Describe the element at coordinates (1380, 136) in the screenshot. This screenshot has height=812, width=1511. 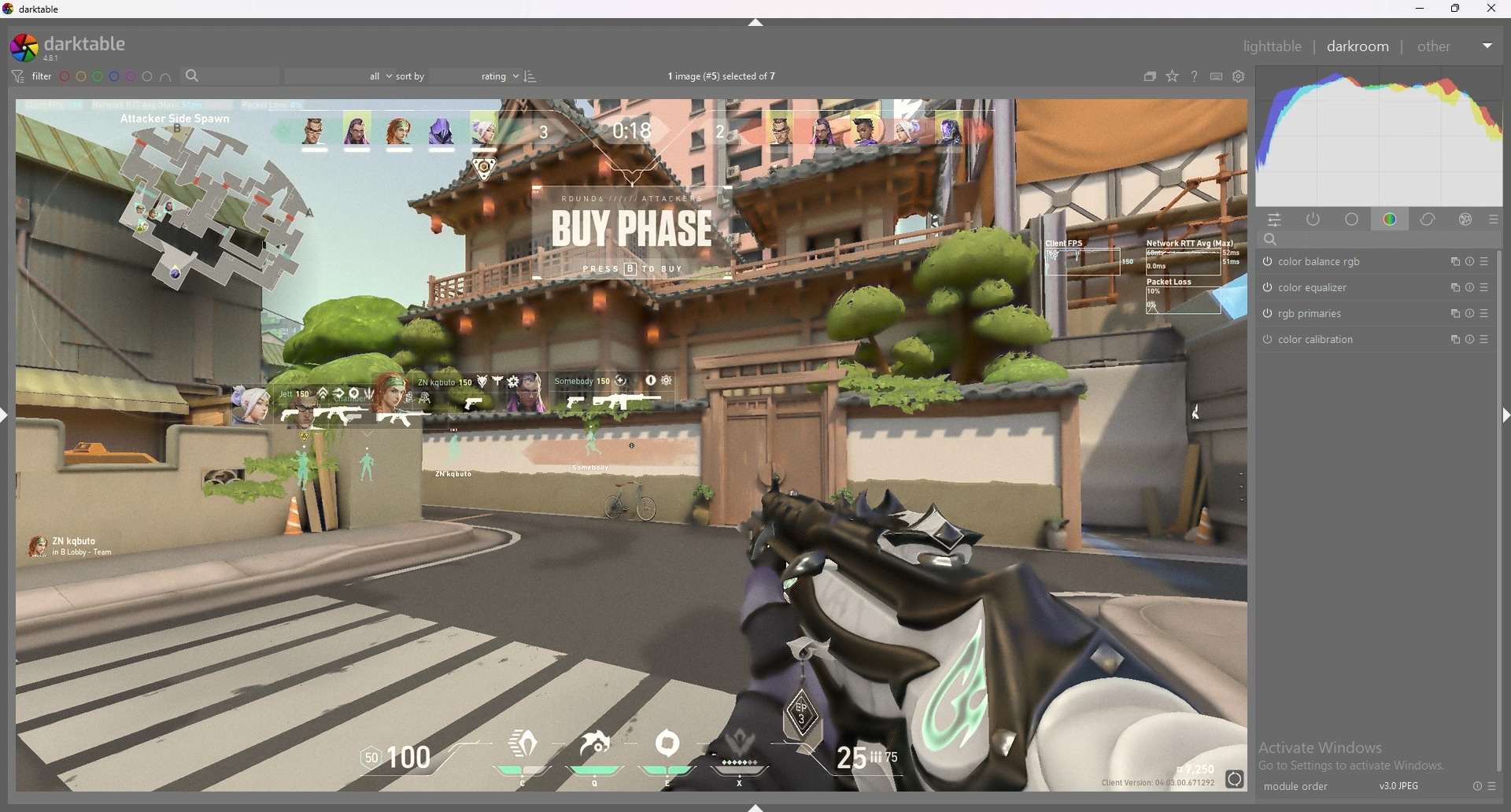
I see `heat graph` at that location.